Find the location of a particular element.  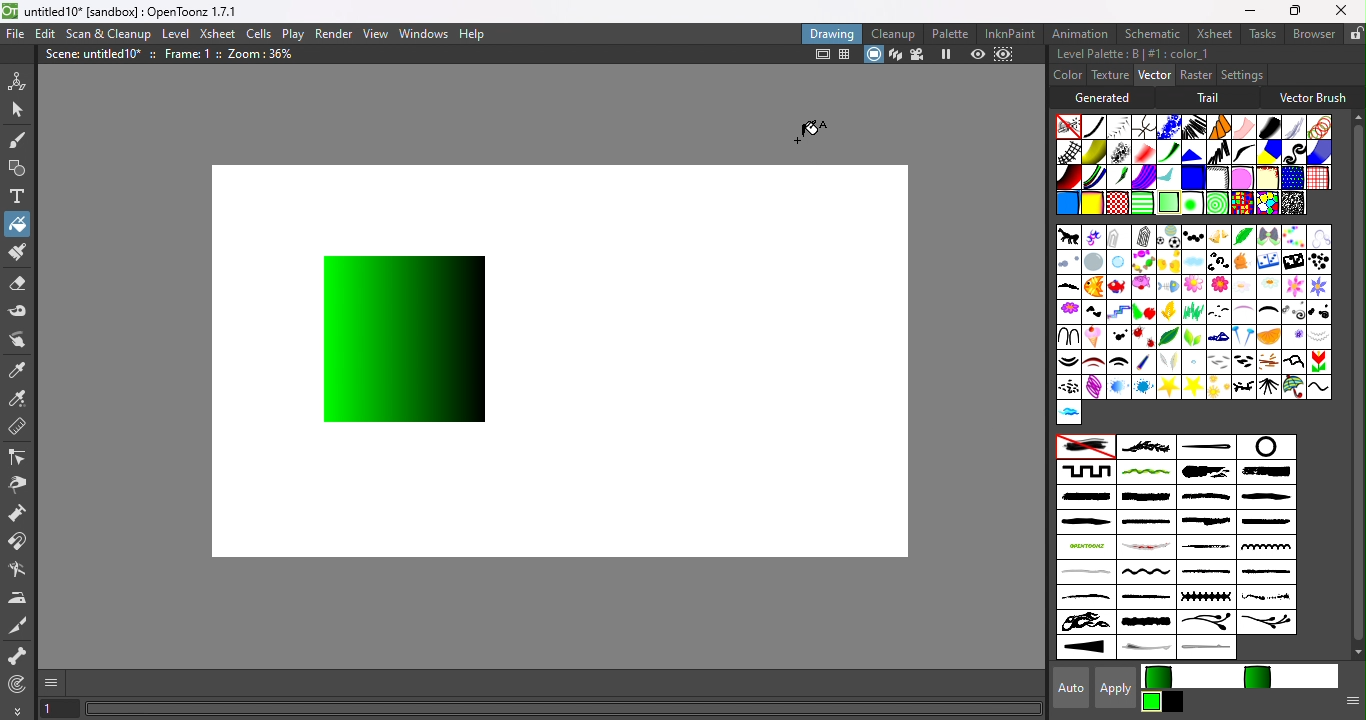

Branches is located at coordinates (1146, 446).